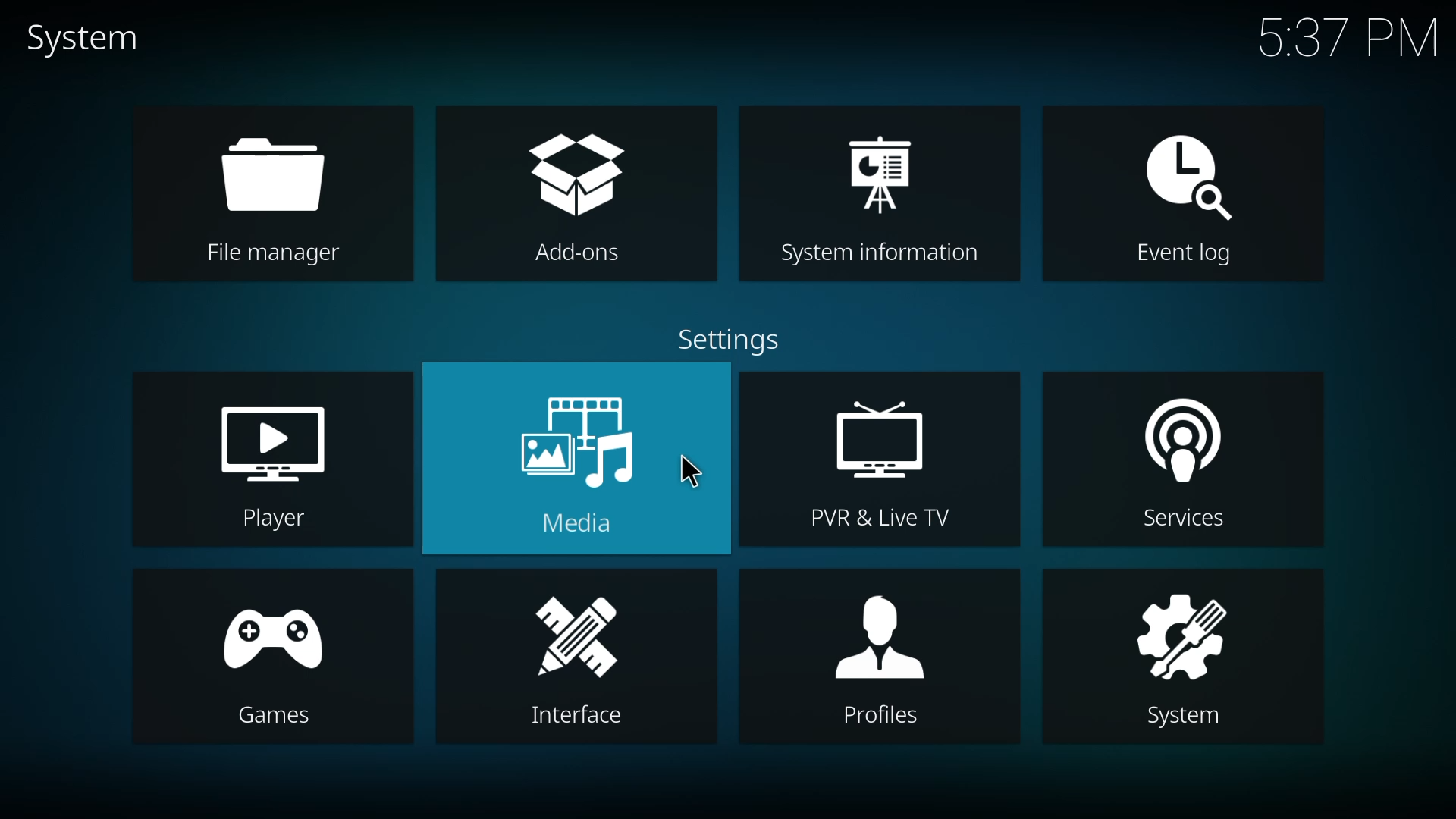 The image size is (1456, 819). I want to click on 5:37 PM, so click(1346, 42).